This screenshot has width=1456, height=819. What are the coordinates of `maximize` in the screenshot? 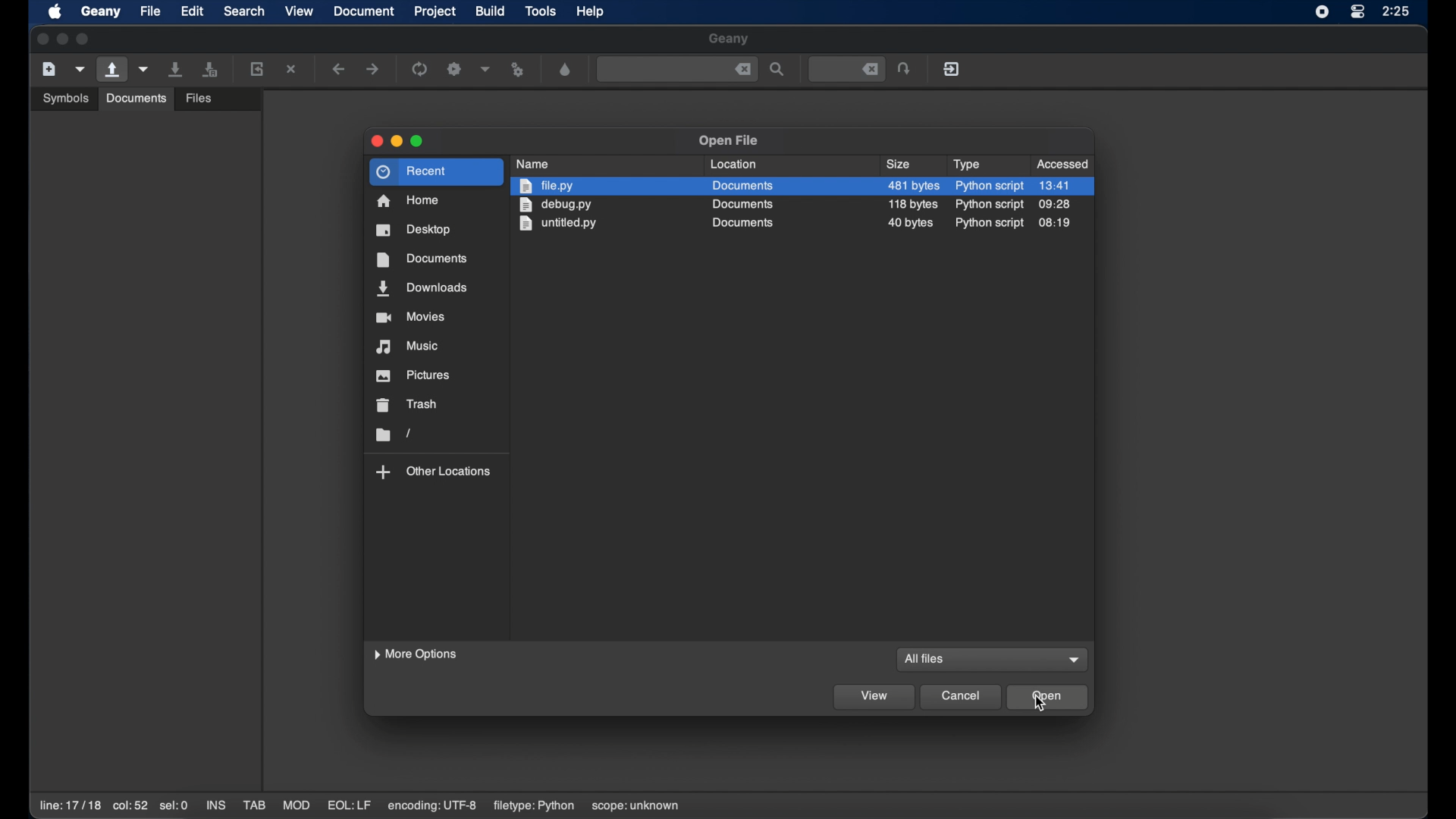 It's located at (419, 142).